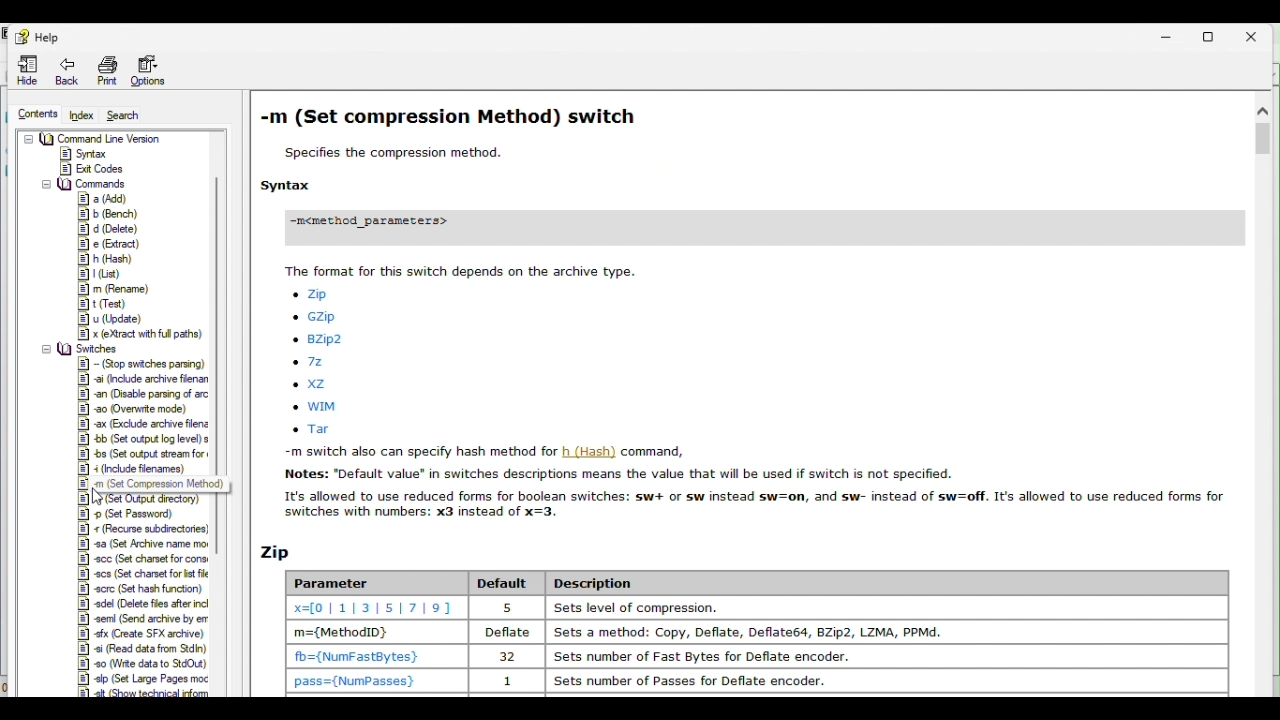  Describe the element at coordinates (143, 469) in the screenshot. I see `include filenames` at that location.